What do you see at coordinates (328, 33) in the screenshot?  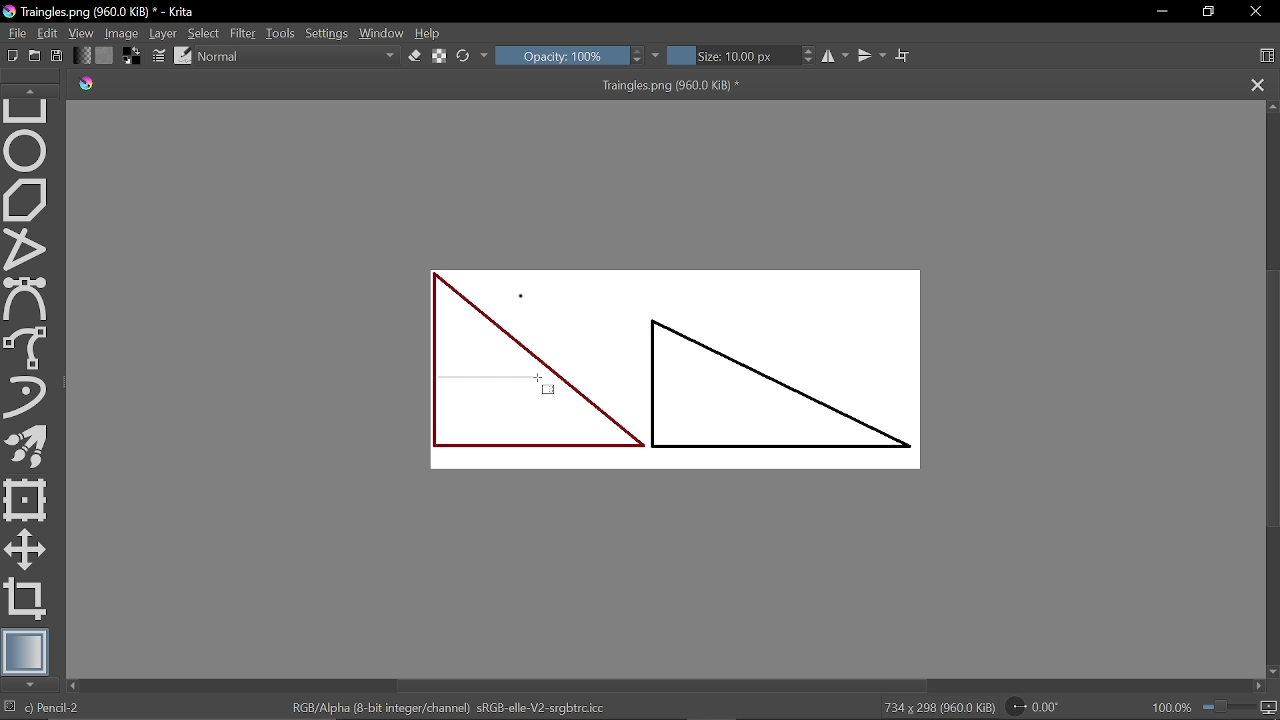 I see `Settings` at bounding box center [328, 33].